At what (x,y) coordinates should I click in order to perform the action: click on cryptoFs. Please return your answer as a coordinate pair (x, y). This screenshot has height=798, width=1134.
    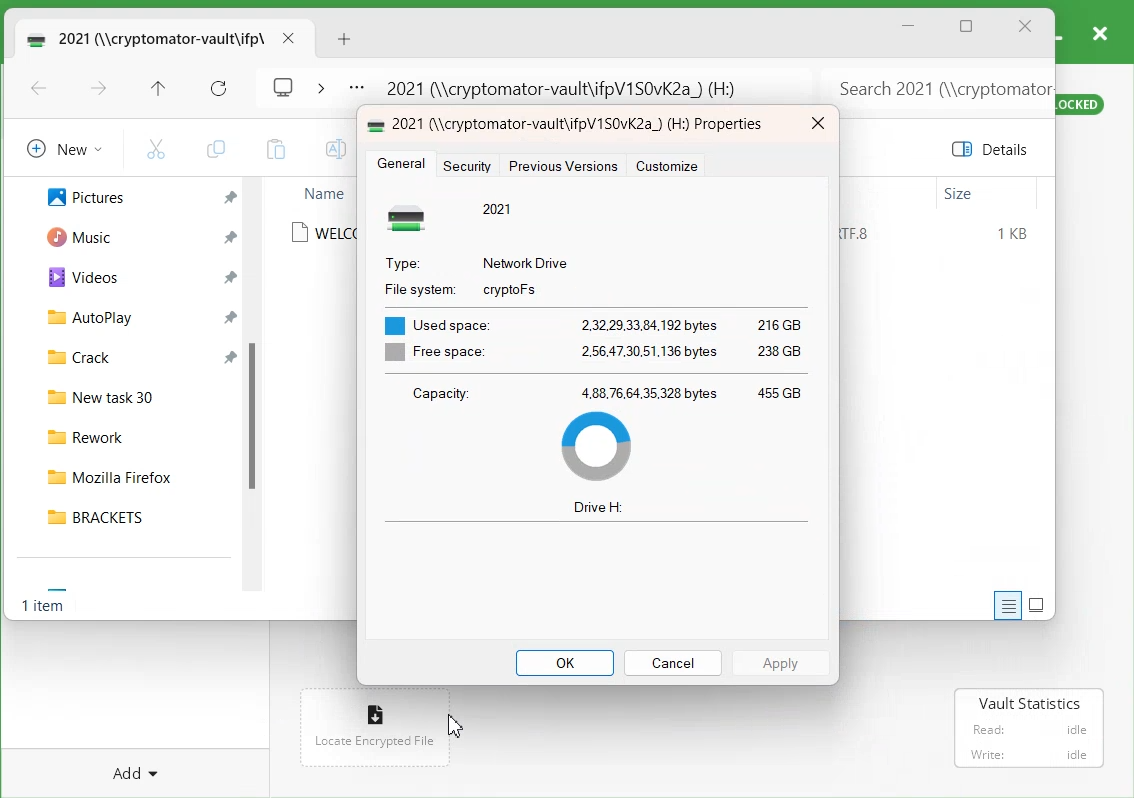
    Looking at the image, I should click on (510, 290).